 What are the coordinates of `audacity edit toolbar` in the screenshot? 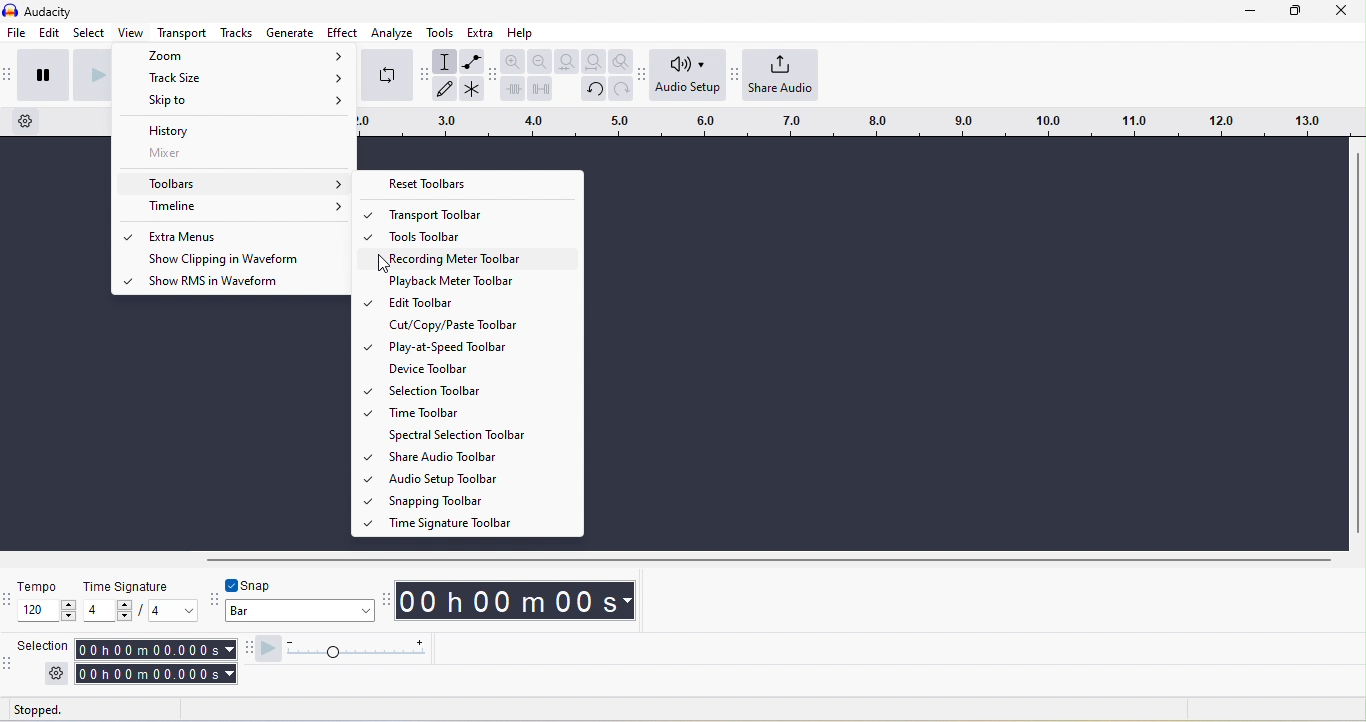 It's located at (492, 77).